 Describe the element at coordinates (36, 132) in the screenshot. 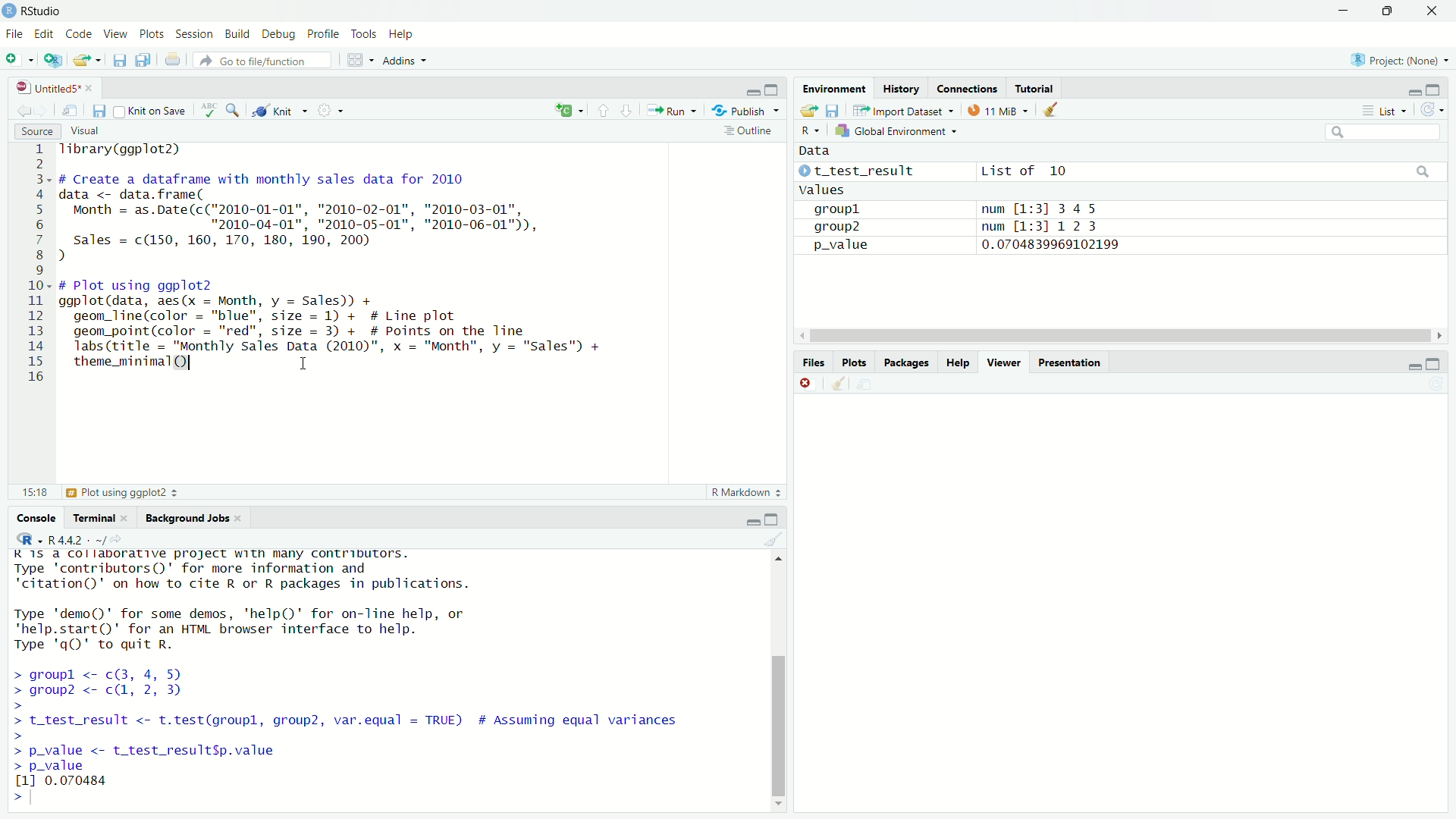

I see `Source` at that location.